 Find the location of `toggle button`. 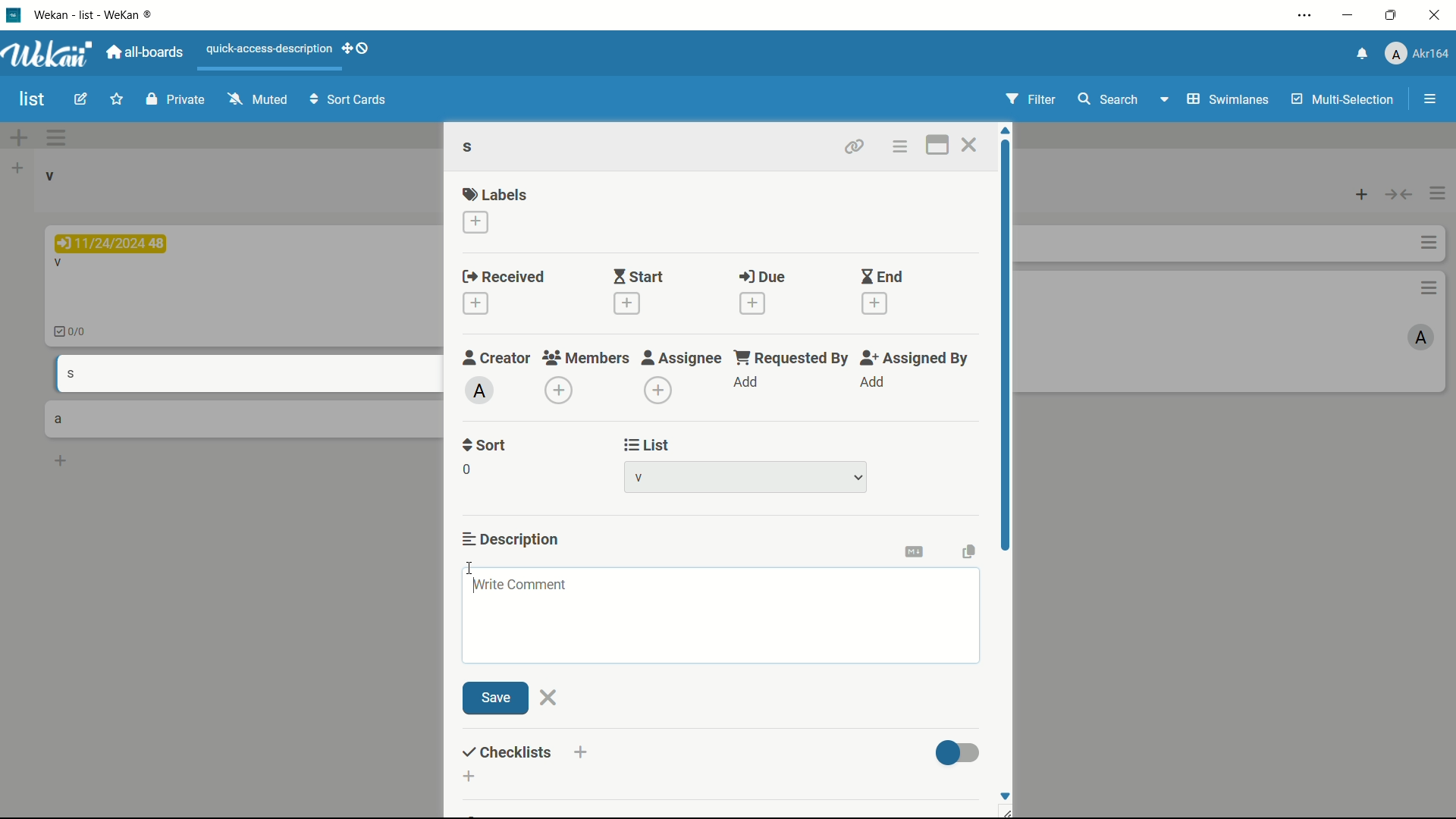

toggle button is located at coordinates (958, 750).